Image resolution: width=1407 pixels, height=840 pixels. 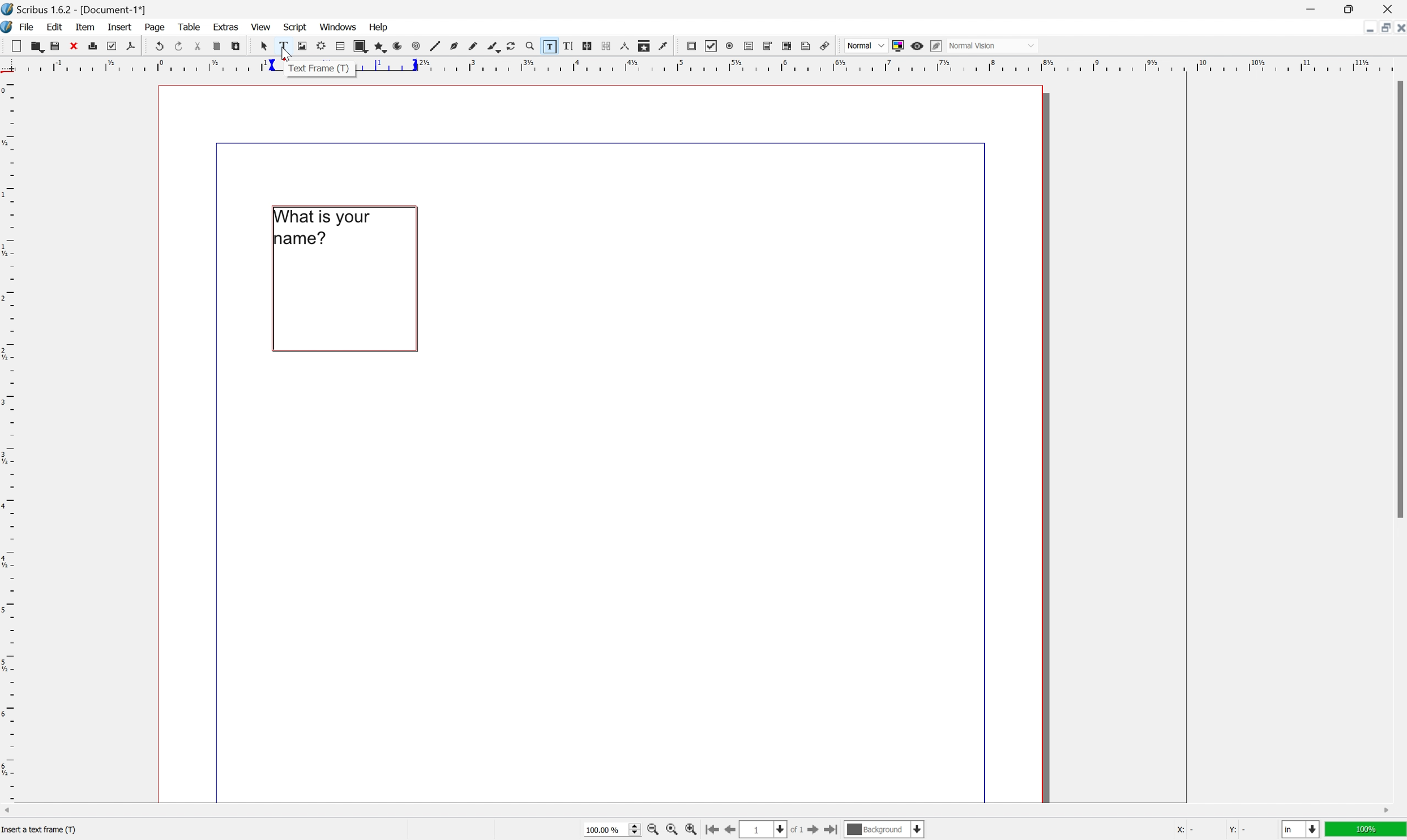 What do you see at coordinates (712, 46) in the screenshot?
I see `pdf checkbox` at bounding box center [712, 46].